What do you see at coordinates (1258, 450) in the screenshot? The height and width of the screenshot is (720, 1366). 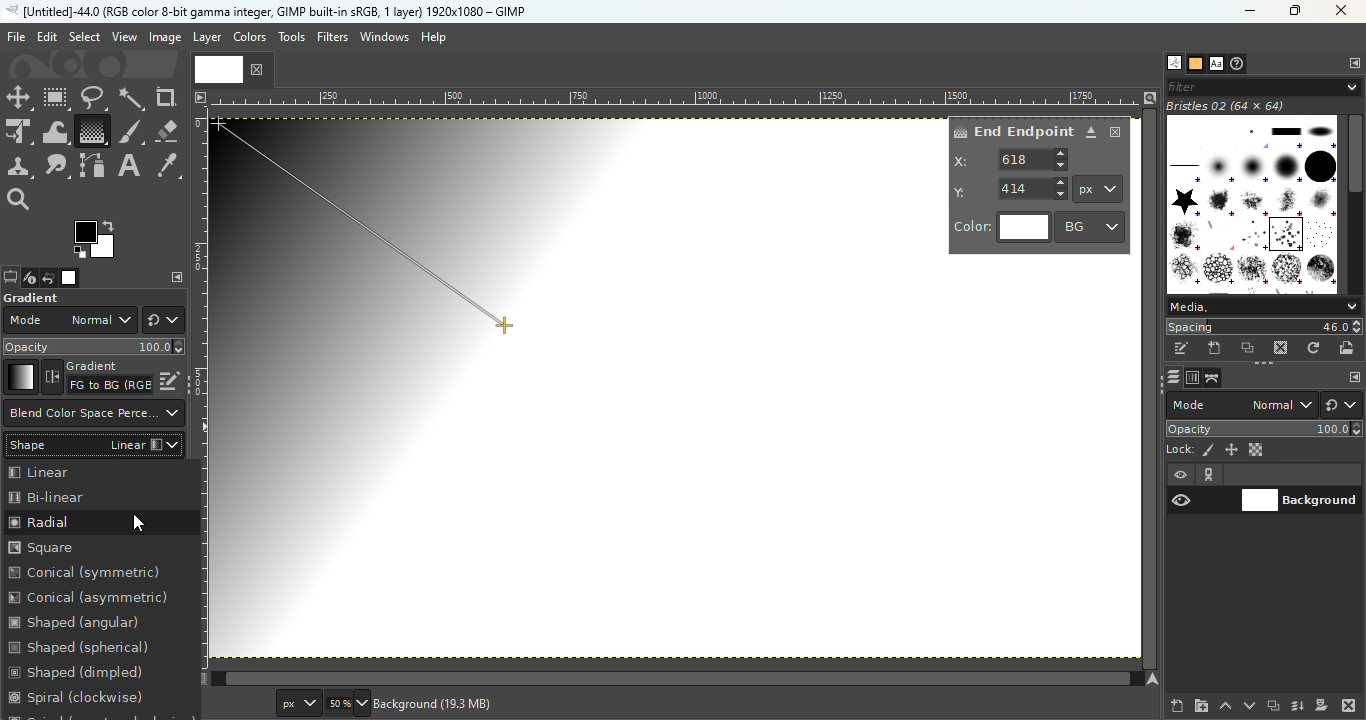 I see `Lock alpha channel` at bounding box center [1258, 450].